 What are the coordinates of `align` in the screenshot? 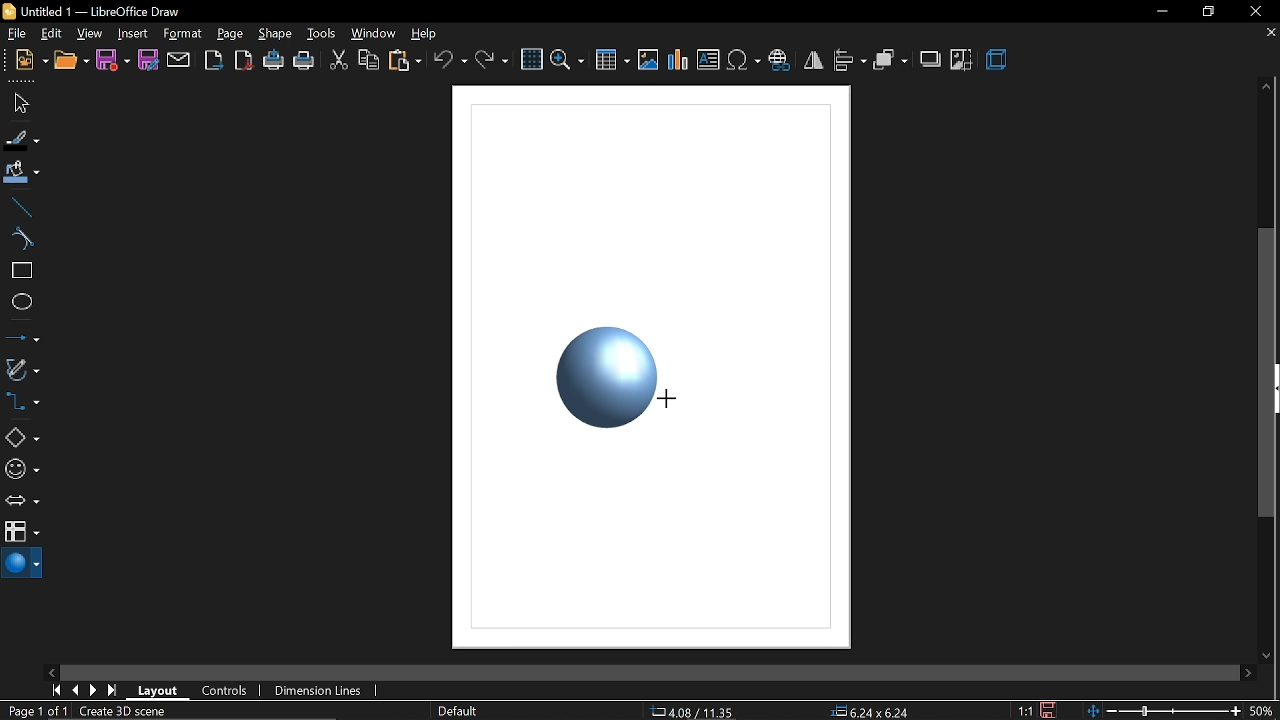 It's located at (850, 59).